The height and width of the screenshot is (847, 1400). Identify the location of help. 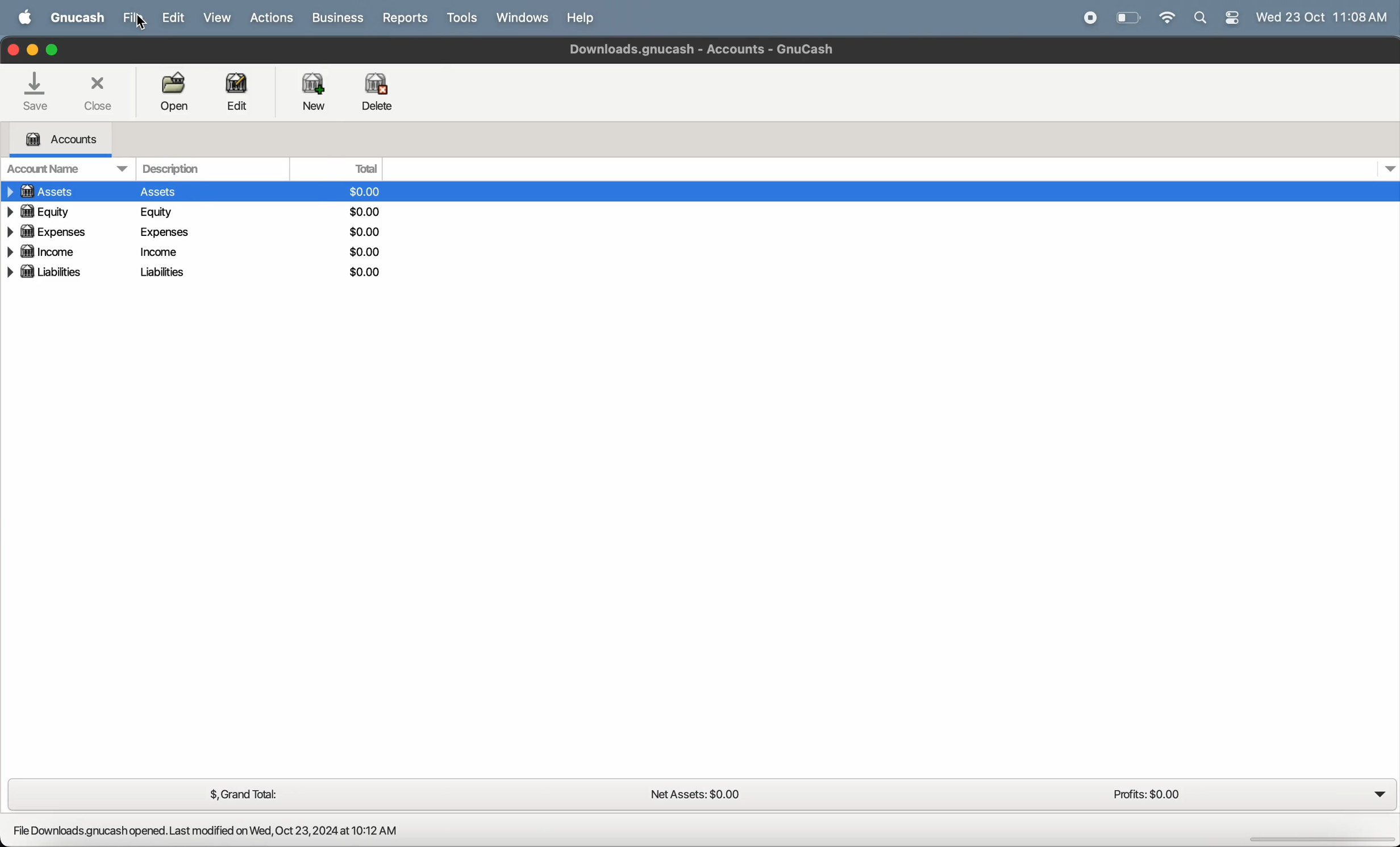
(585, 19).